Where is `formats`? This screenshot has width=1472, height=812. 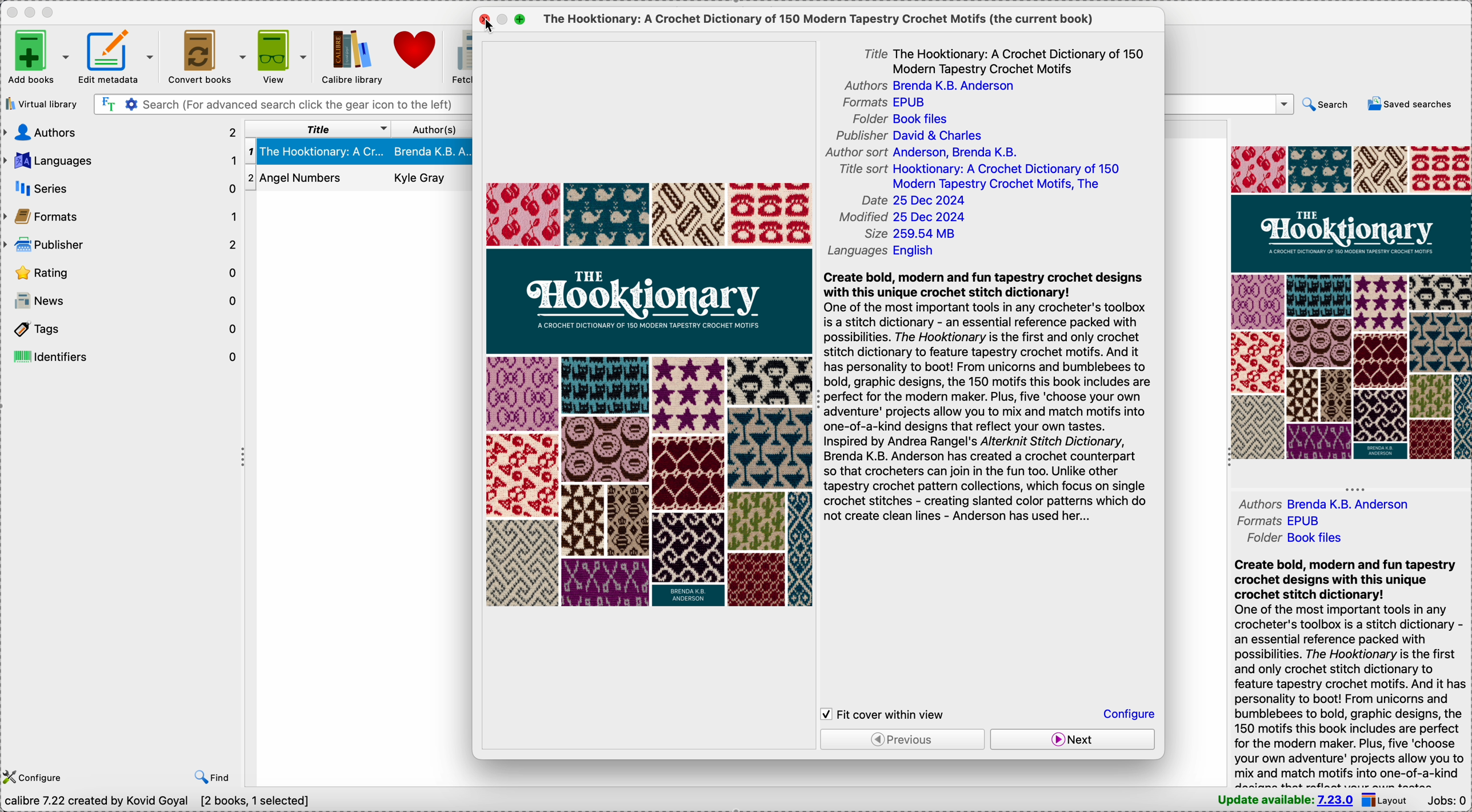 formats is located at coordinates (1275, 522).